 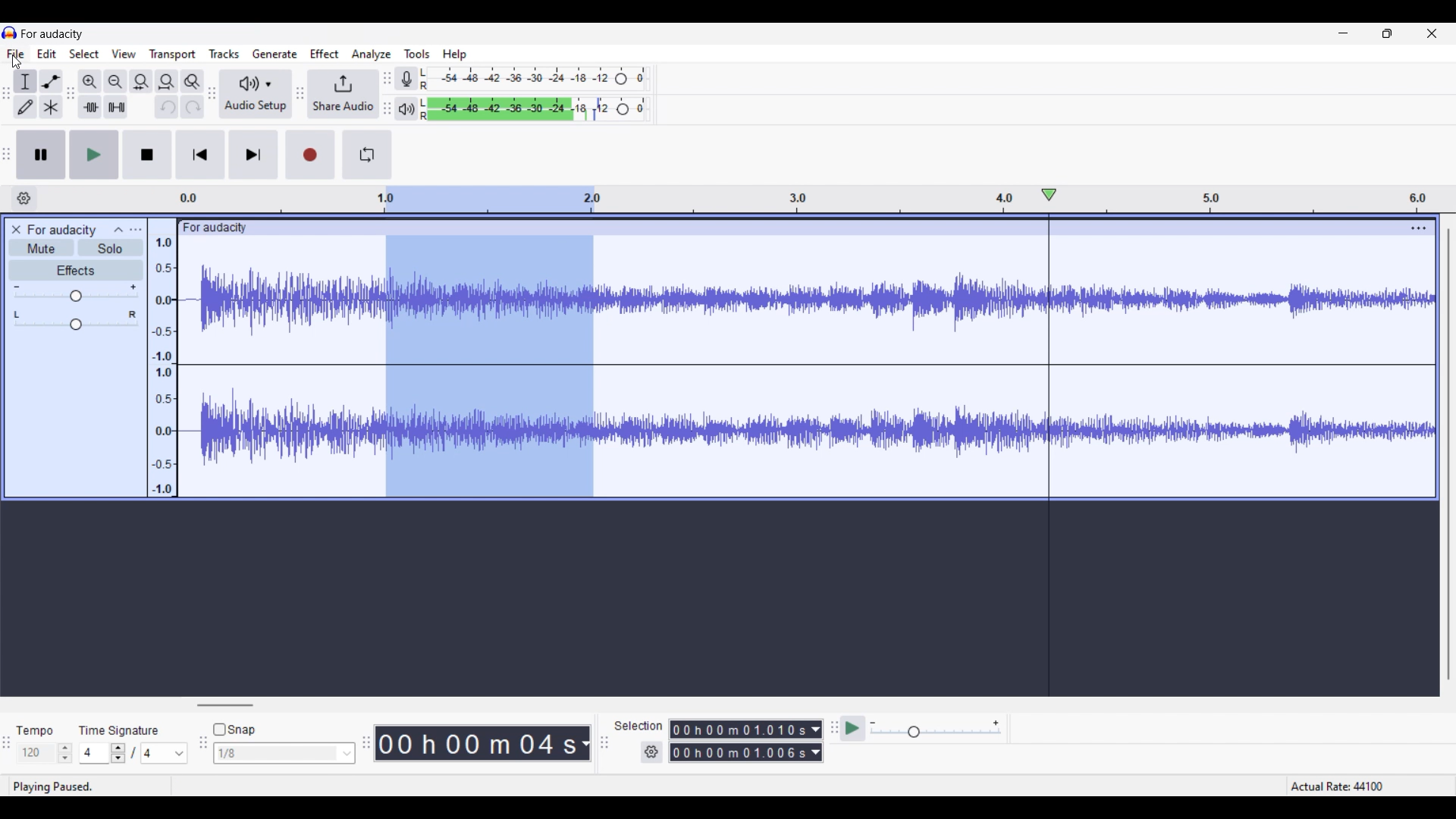 I want to click on Fit selection to width, so click(x=142, y=82).